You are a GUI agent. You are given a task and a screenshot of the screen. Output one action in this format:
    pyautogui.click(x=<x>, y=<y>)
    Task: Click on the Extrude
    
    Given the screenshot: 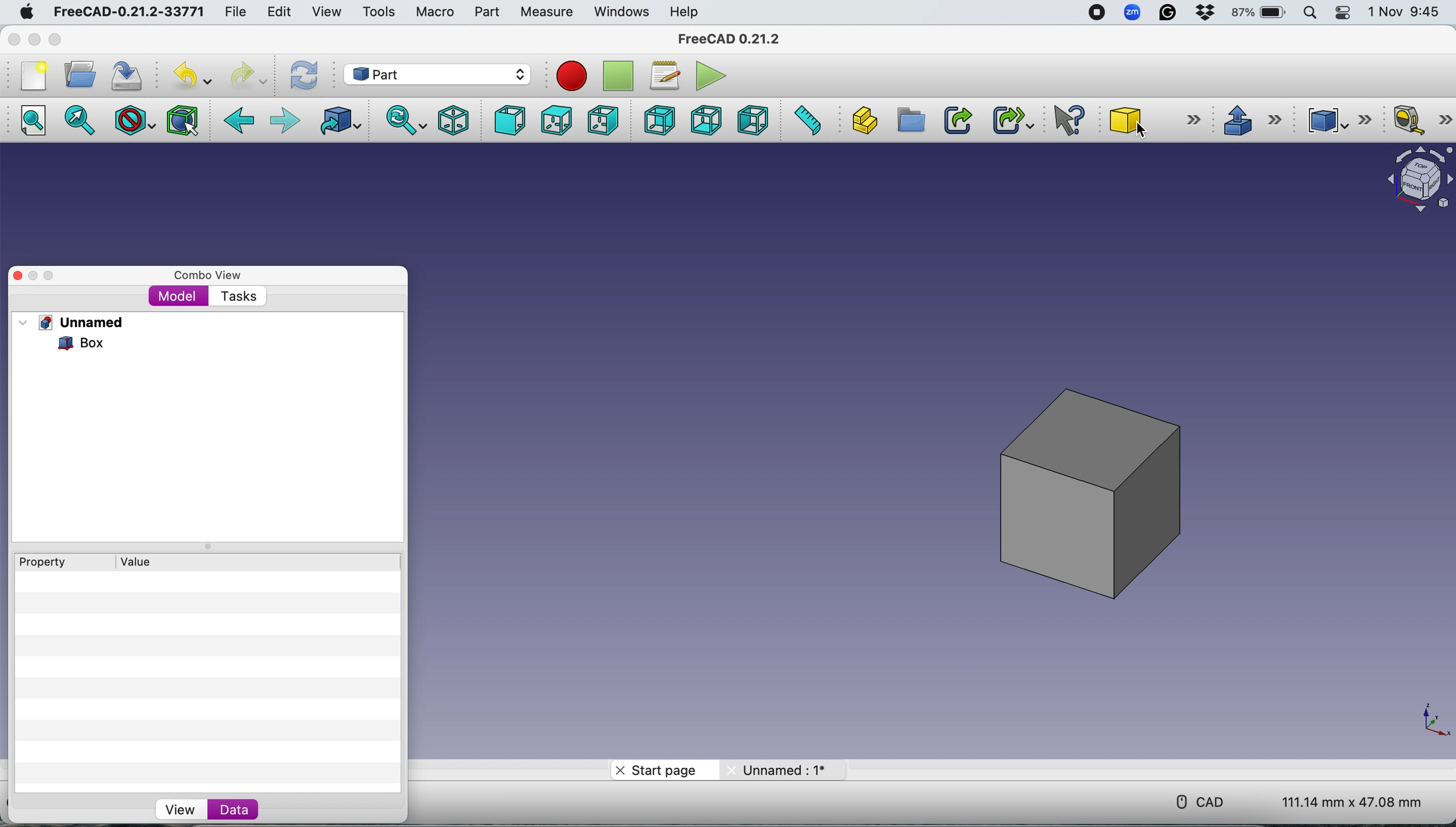 What is the action you would take?
    pyautogui.click(x=1251, y=119)
    